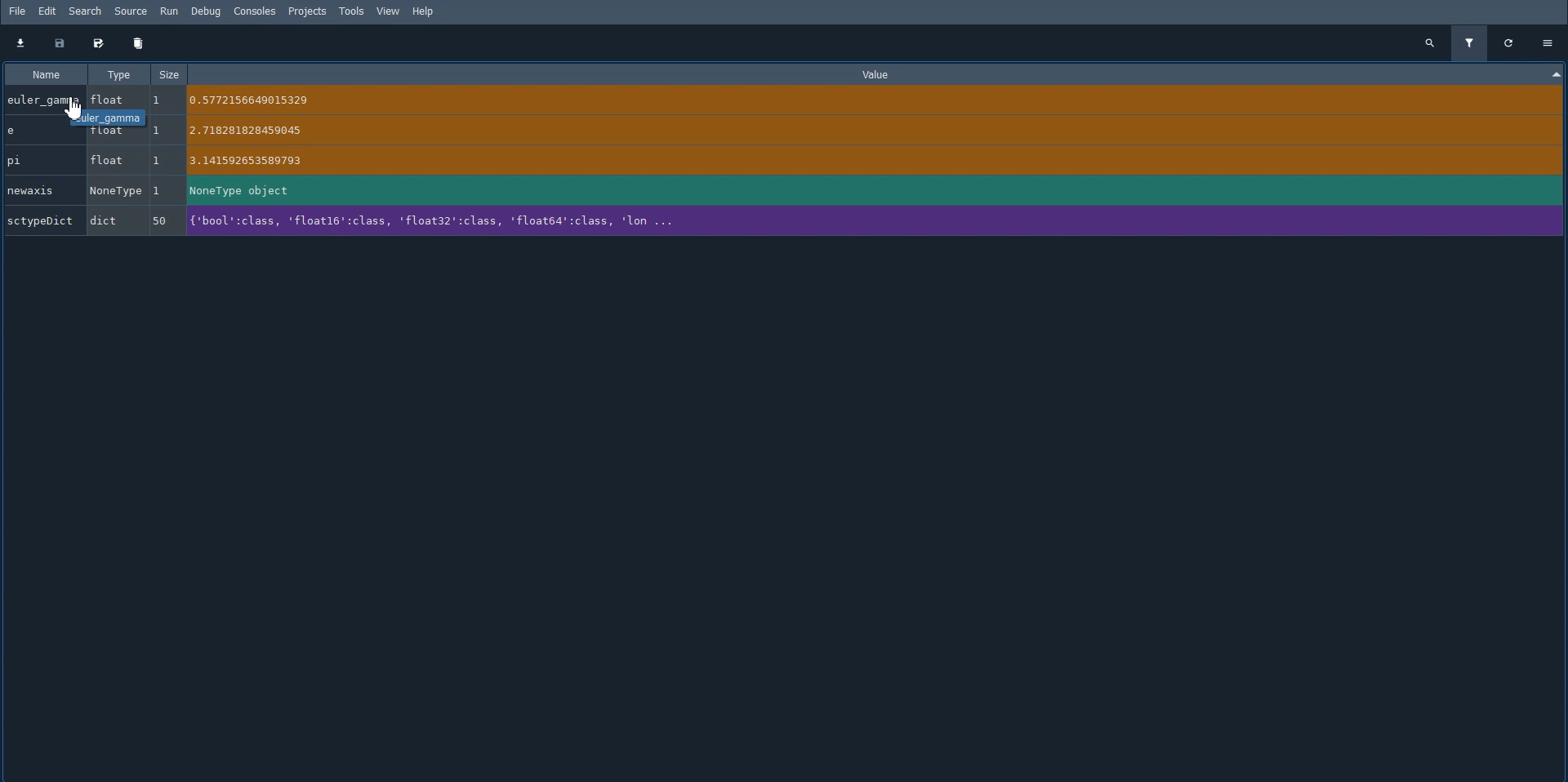  I want to click on Tools, so click(352, 11).